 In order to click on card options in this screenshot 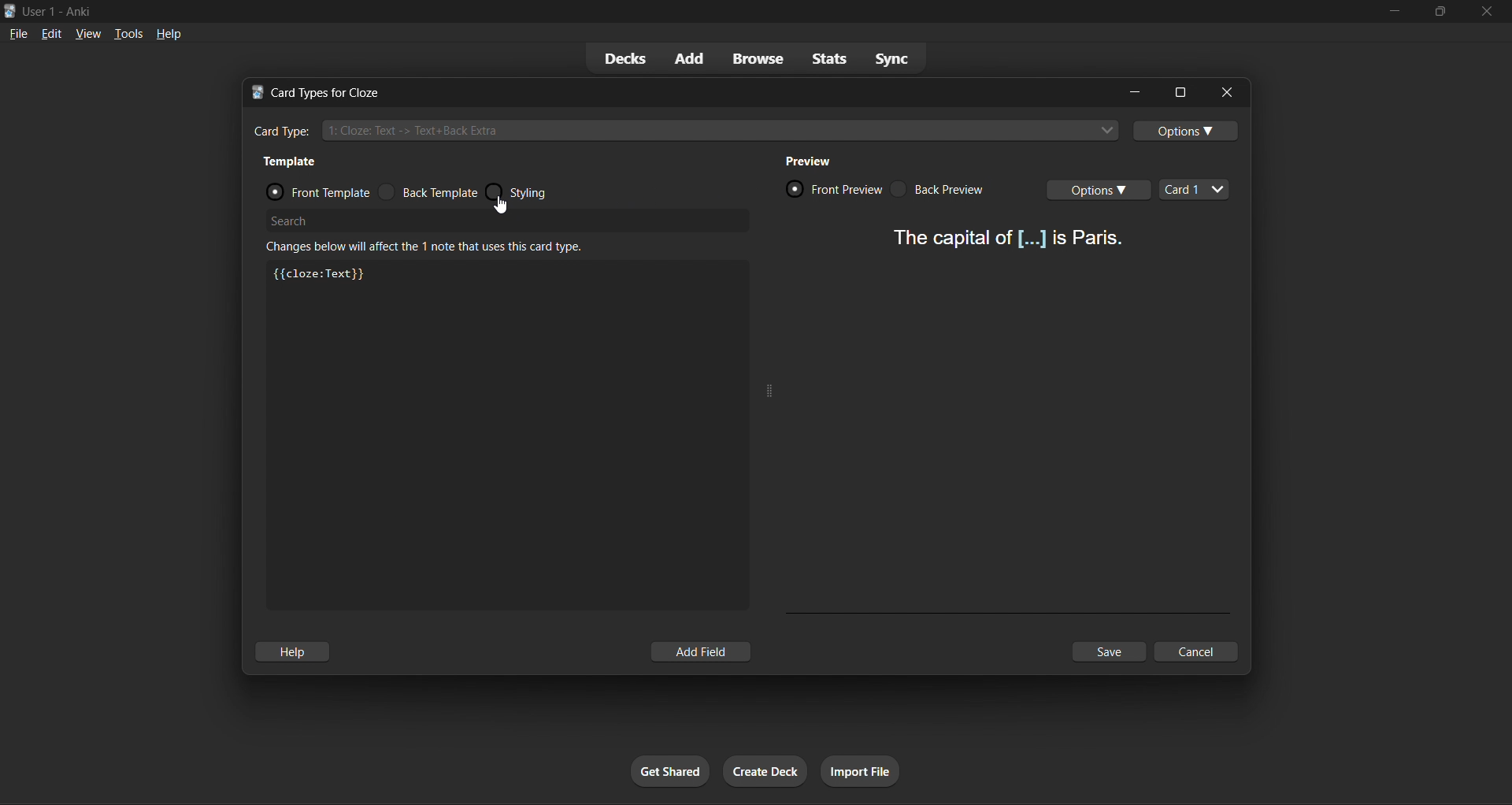, I will do `click(1102, 193)`.